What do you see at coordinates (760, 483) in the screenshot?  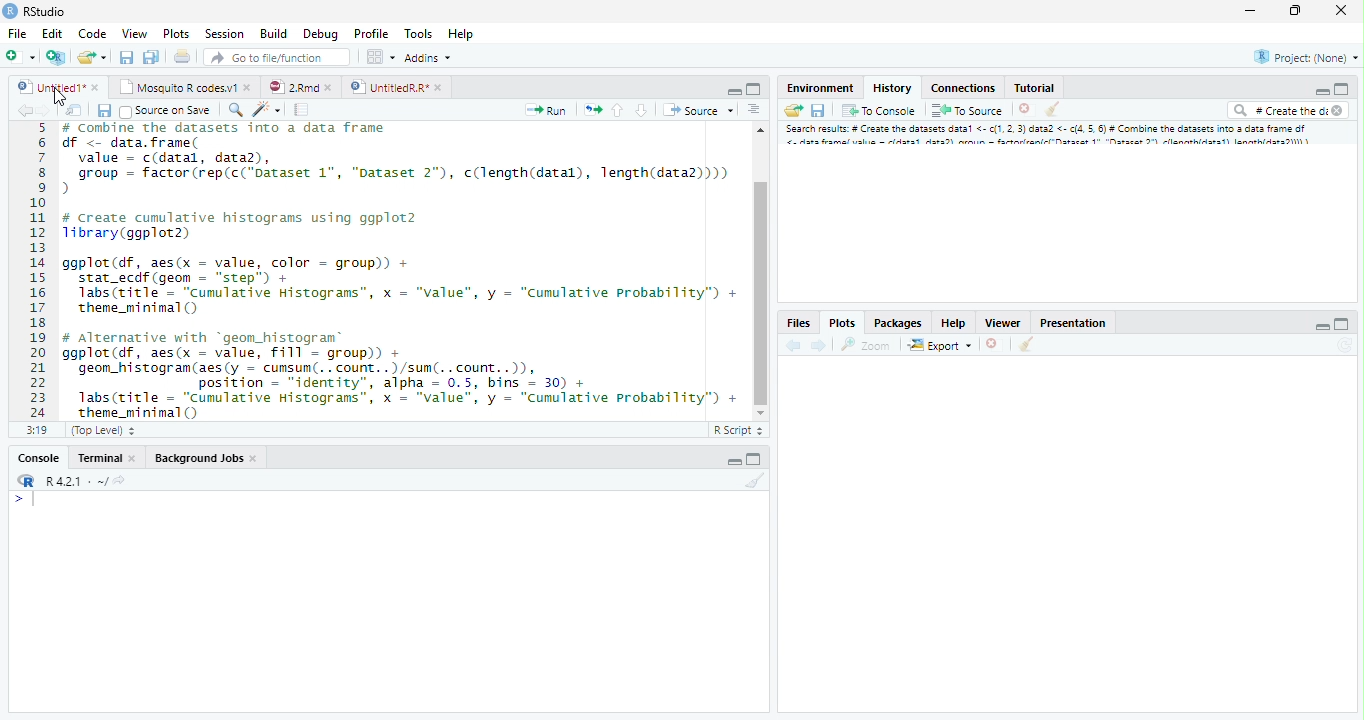 I see `Clear Console` at bounding box center [760, 483].